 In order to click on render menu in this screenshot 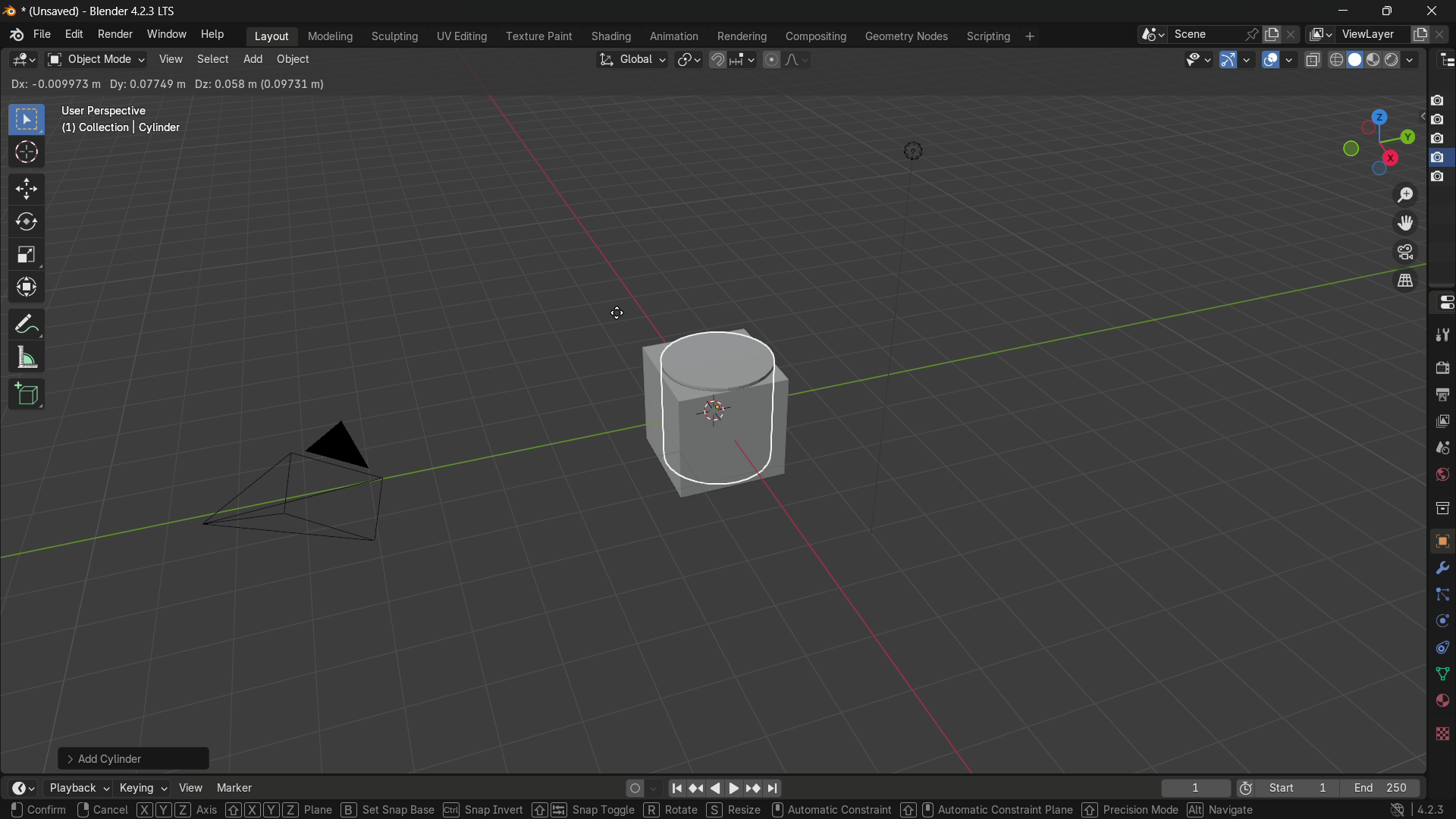, I will do `click(114, 36)`.